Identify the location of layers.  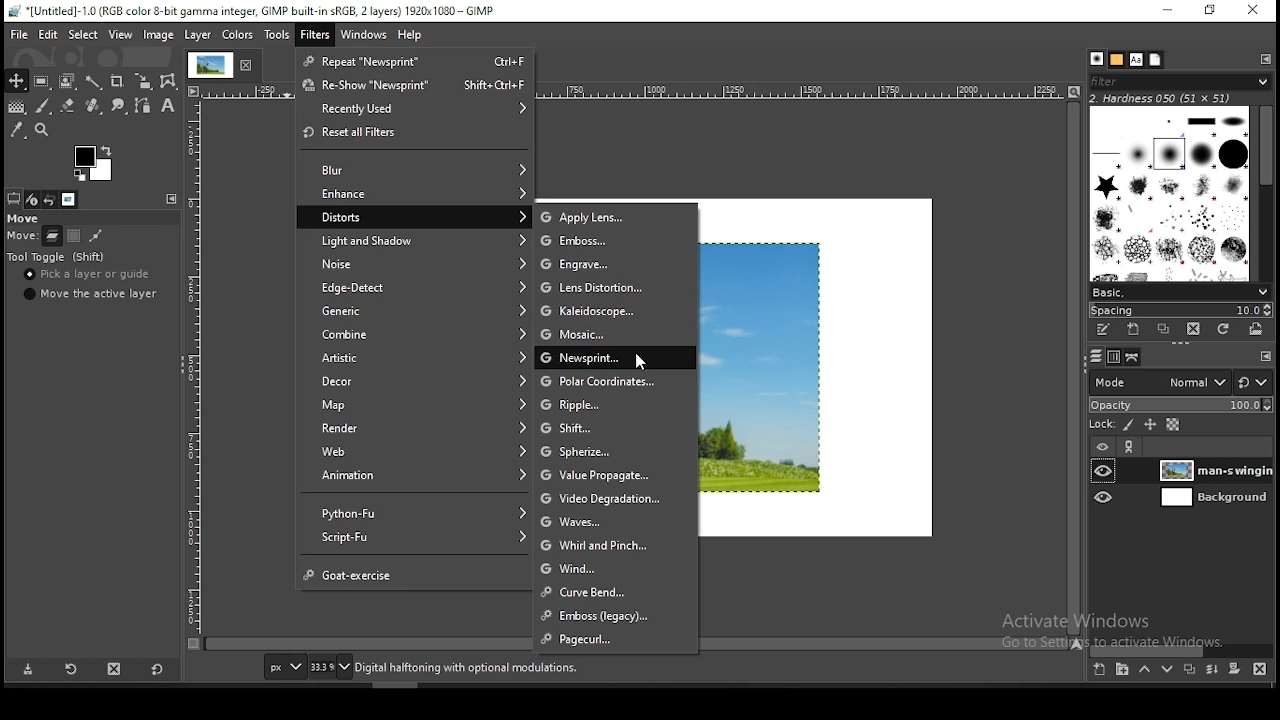
(1096, 358).